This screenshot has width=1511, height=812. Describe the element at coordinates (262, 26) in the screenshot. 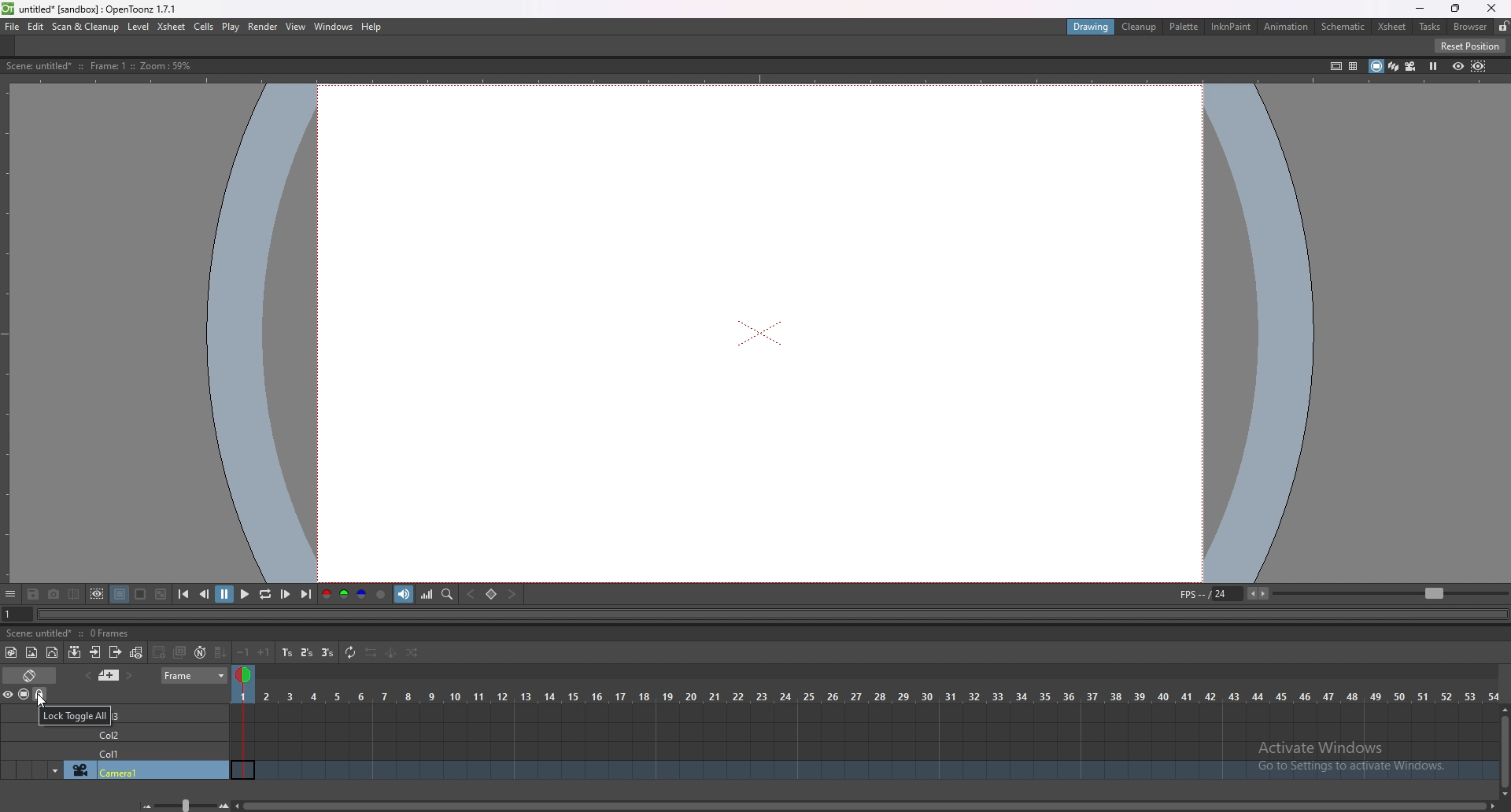

I see `render` at that location.